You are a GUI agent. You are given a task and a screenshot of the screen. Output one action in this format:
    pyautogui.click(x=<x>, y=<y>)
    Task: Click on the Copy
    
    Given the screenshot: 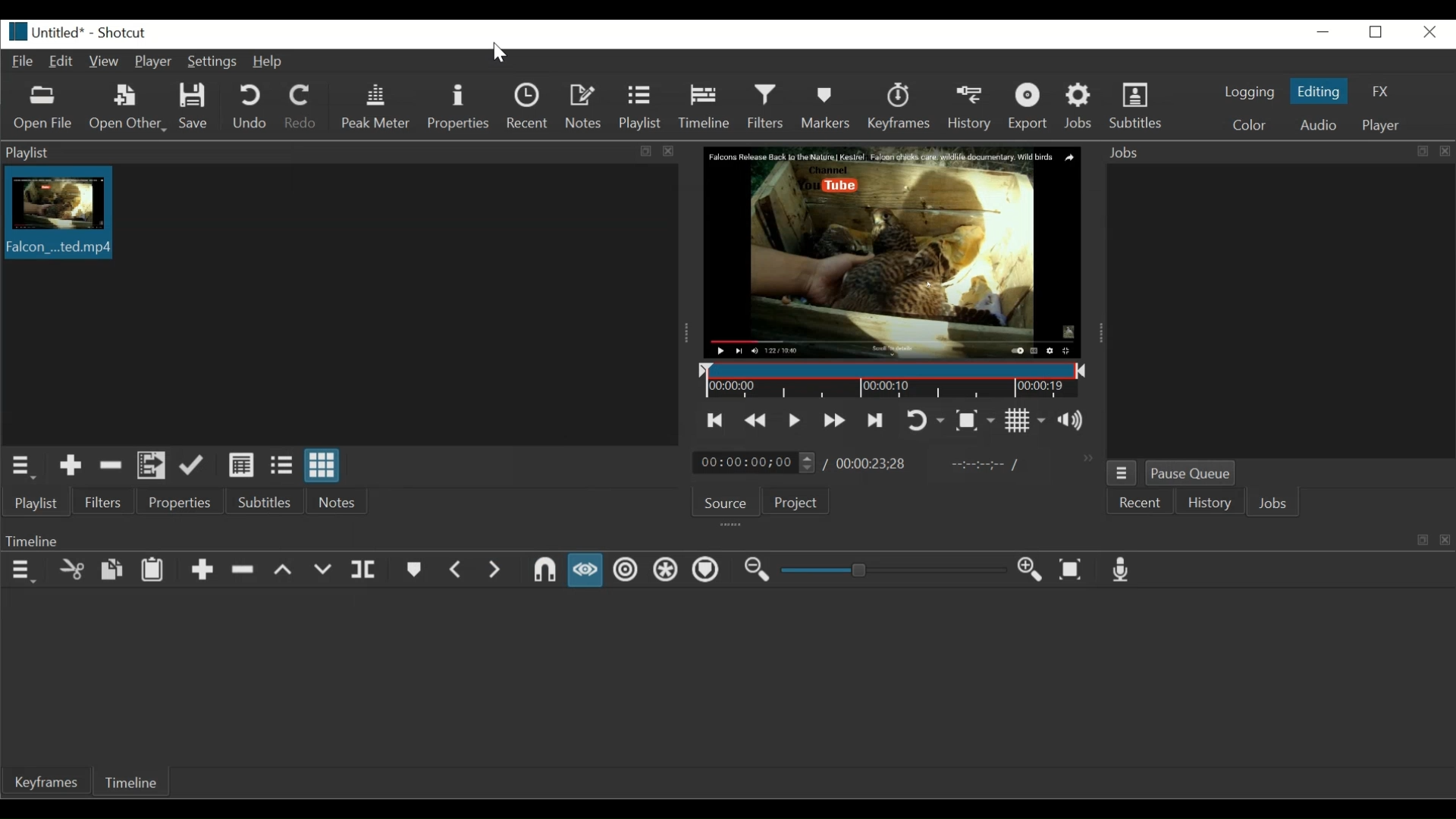 What is the action you would take?
    pyautogui.click(x=111, y=570)
    